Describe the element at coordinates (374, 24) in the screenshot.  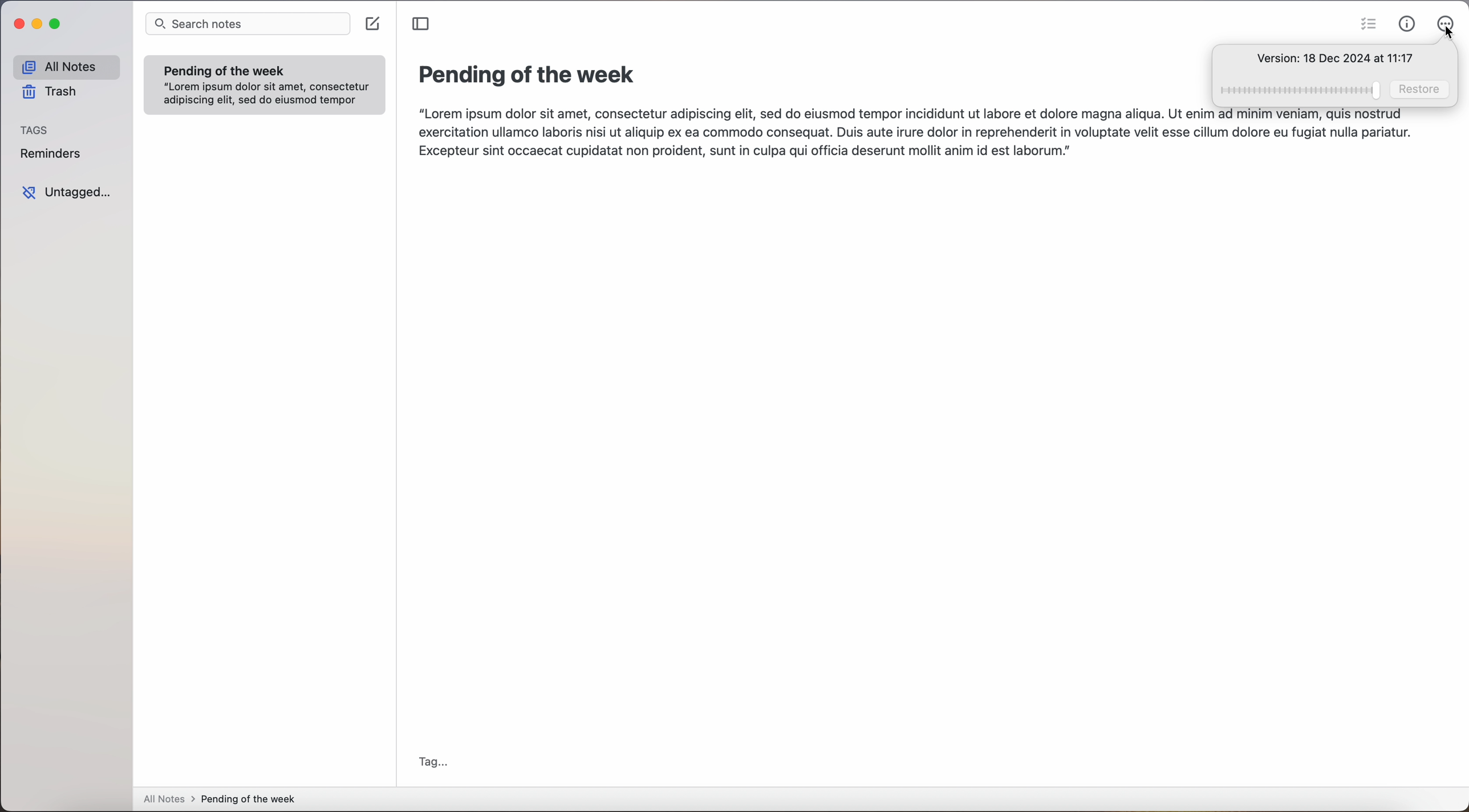
I see `create note` at that location.